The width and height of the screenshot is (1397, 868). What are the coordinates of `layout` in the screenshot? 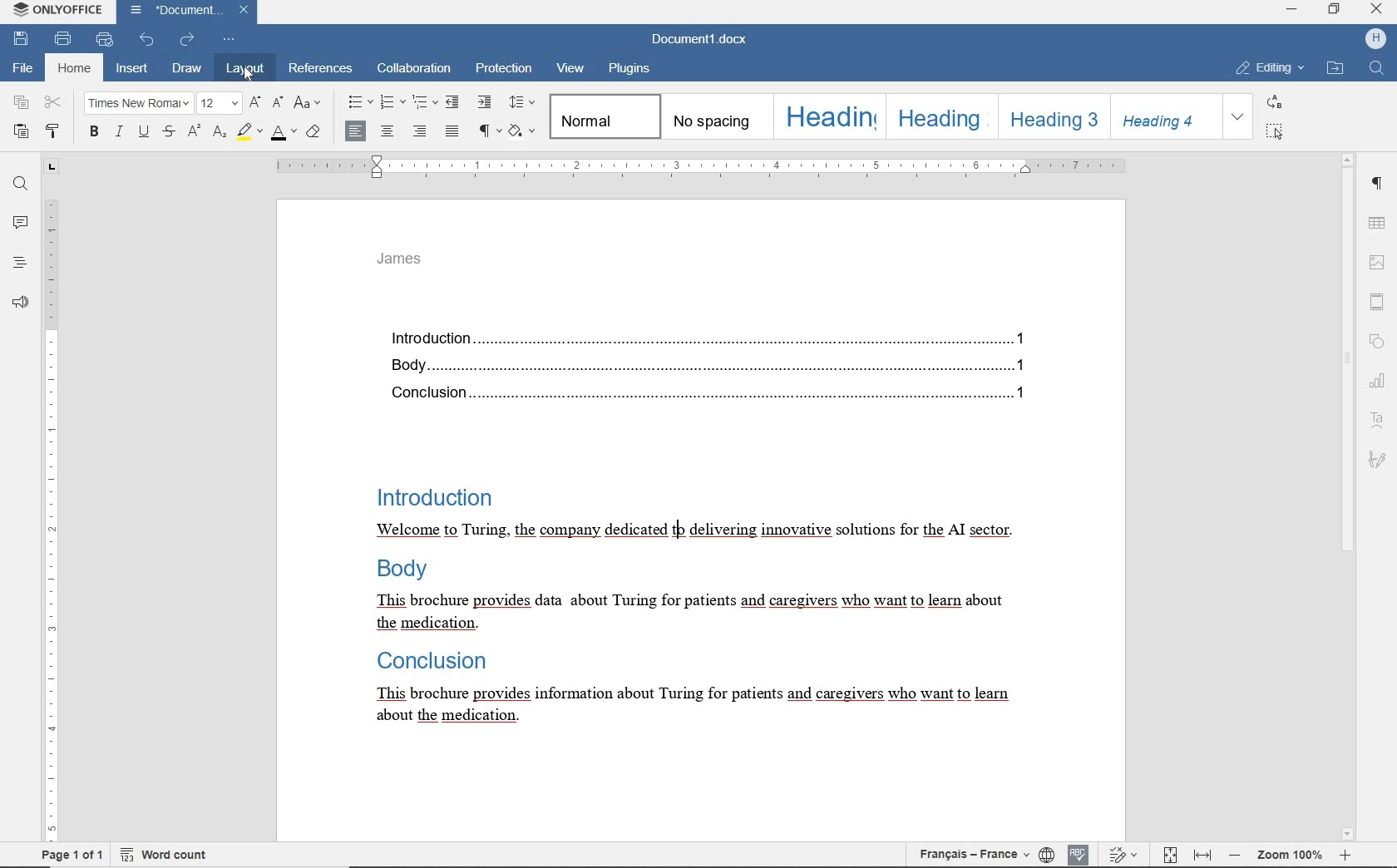 It's located at (247, 67).